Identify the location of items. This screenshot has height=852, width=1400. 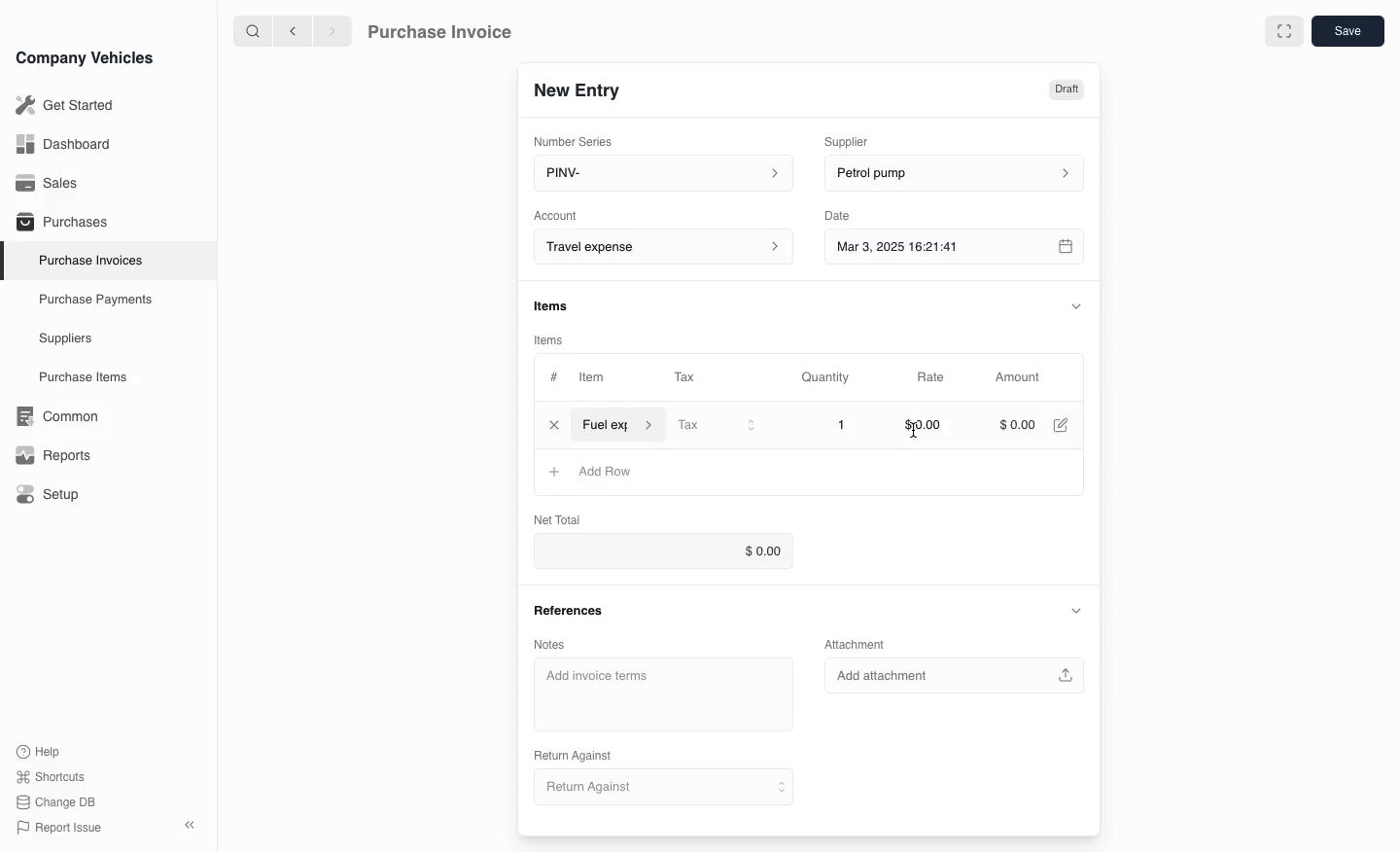
(552, 339).